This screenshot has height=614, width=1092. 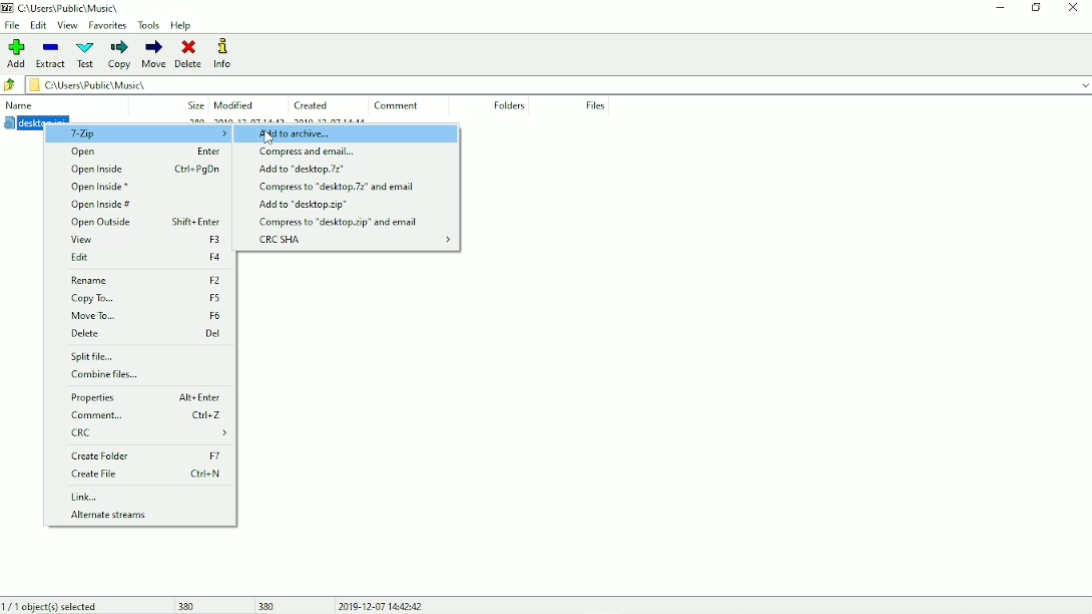 What do you see at coordinates (148, 333) in the screenshot?
I see `Delete` at bounding box center [148, 333].